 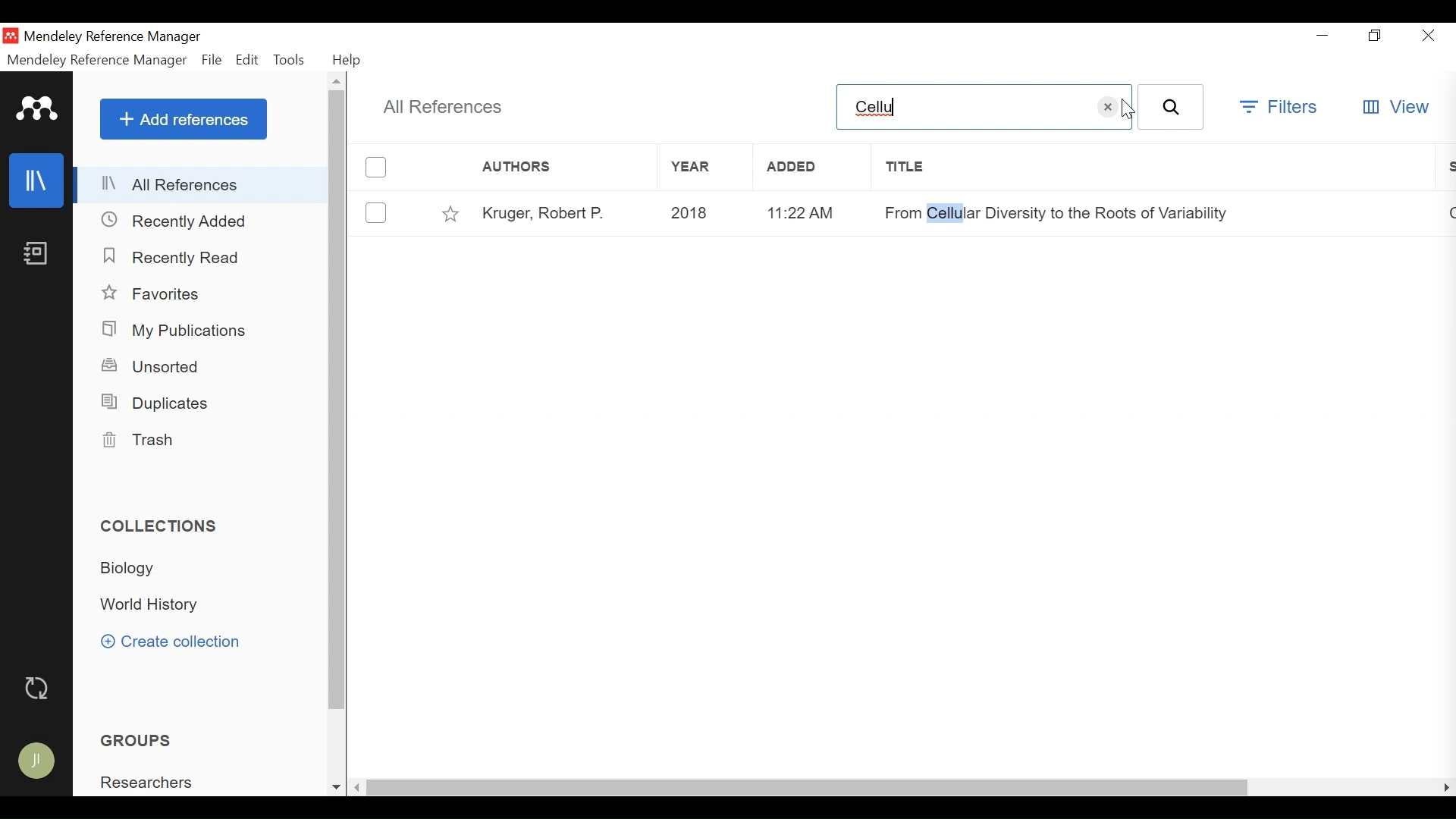 What do you see at coordinates (338, 400) in the screenshot?
I see `Vertical Scroll bar` at bounding box center [338, 400].